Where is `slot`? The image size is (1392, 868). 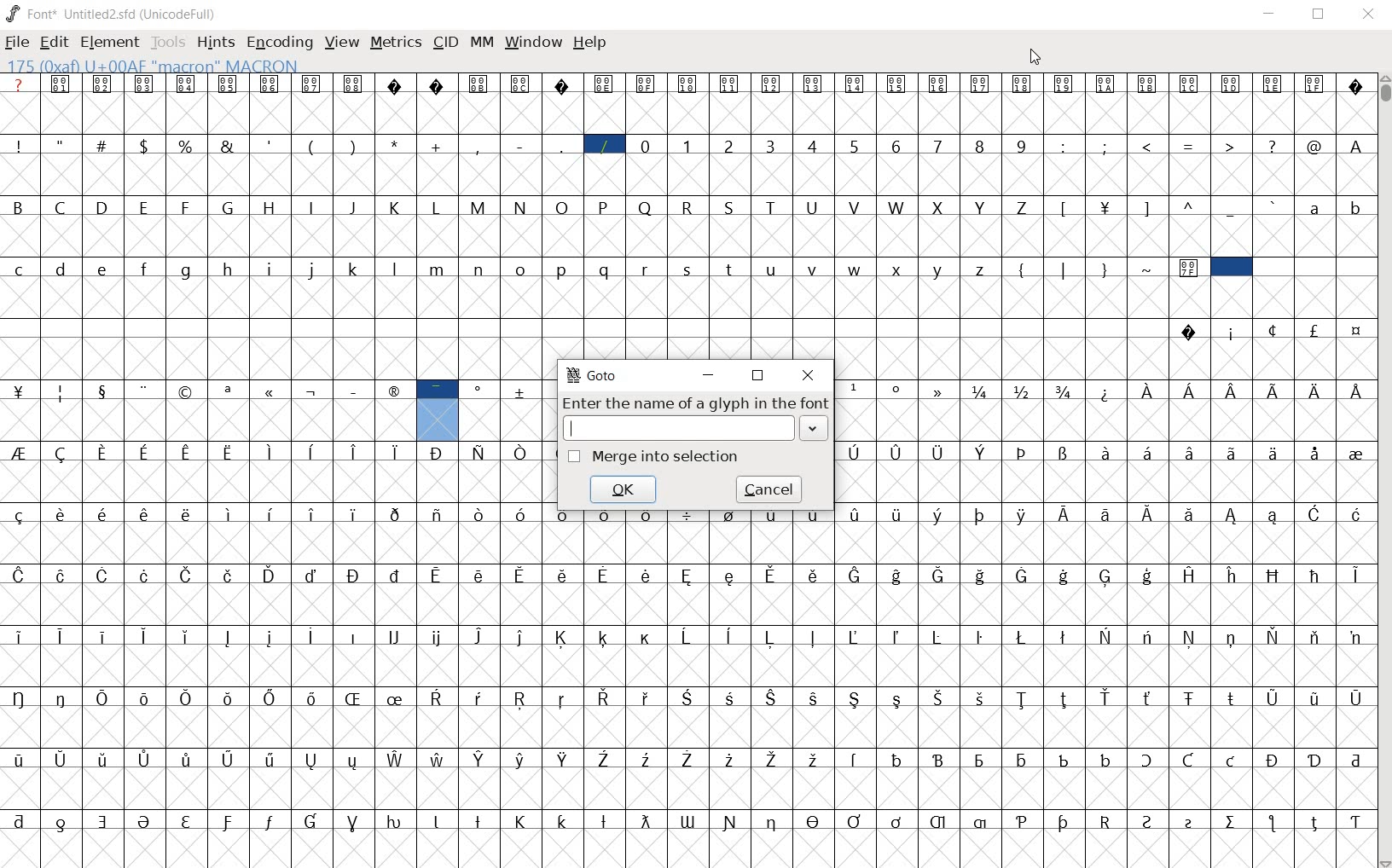 slot is located at coordinates (582, 342).